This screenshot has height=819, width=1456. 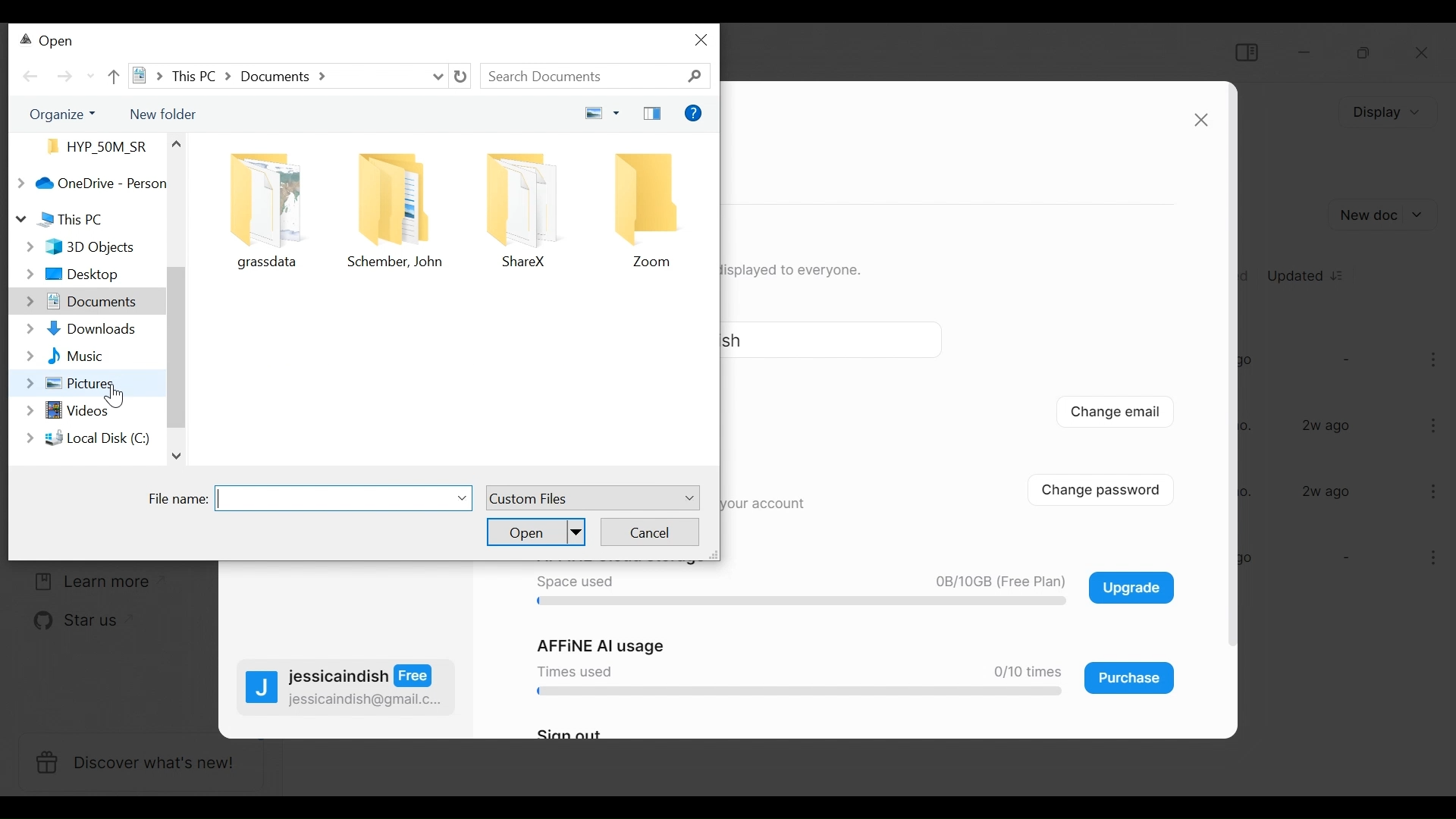 What do you see at coordinates (1021, 672) in the screenshot?
I see `0/10 times` at bounding box center [1021, 672].